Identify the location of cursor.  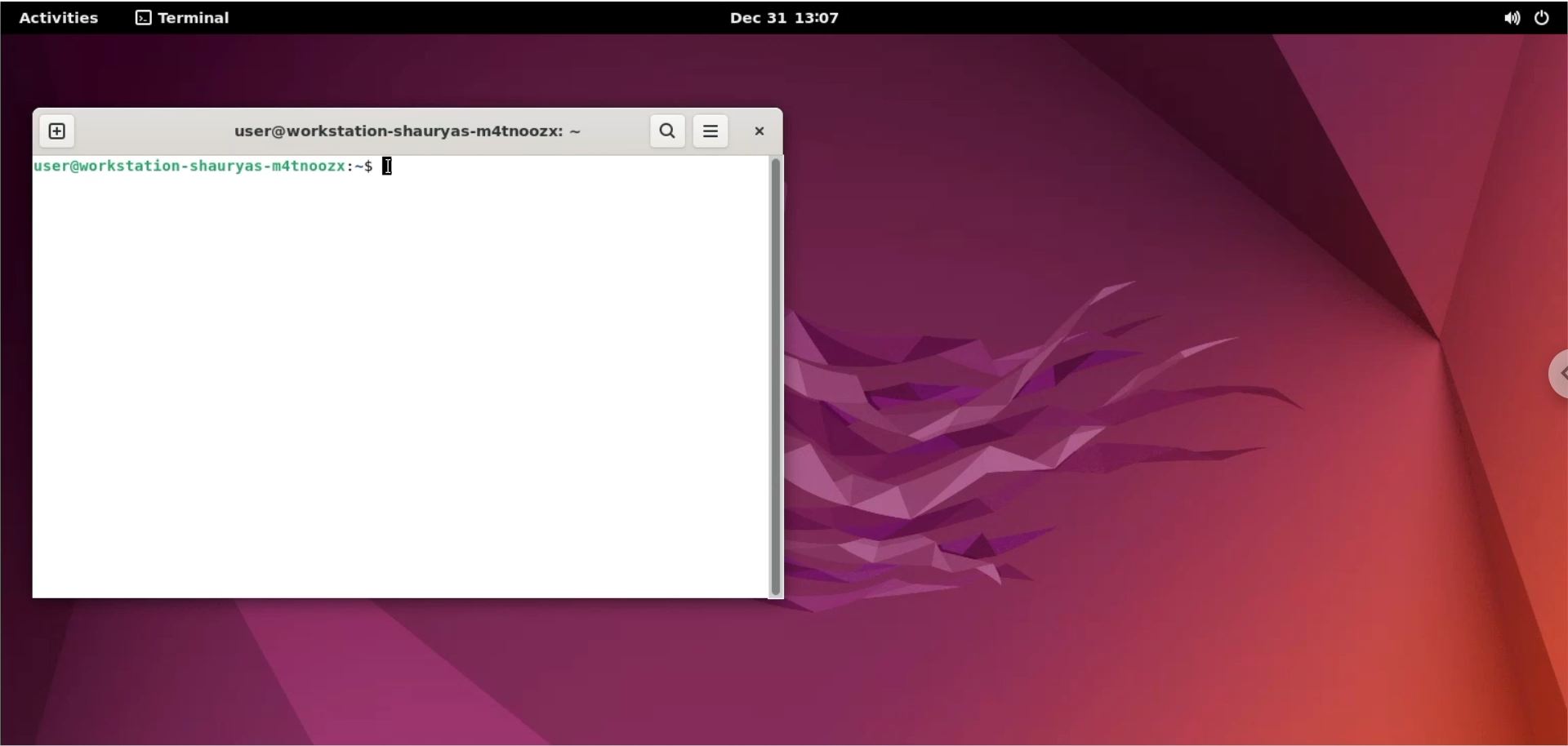
(391, 169).